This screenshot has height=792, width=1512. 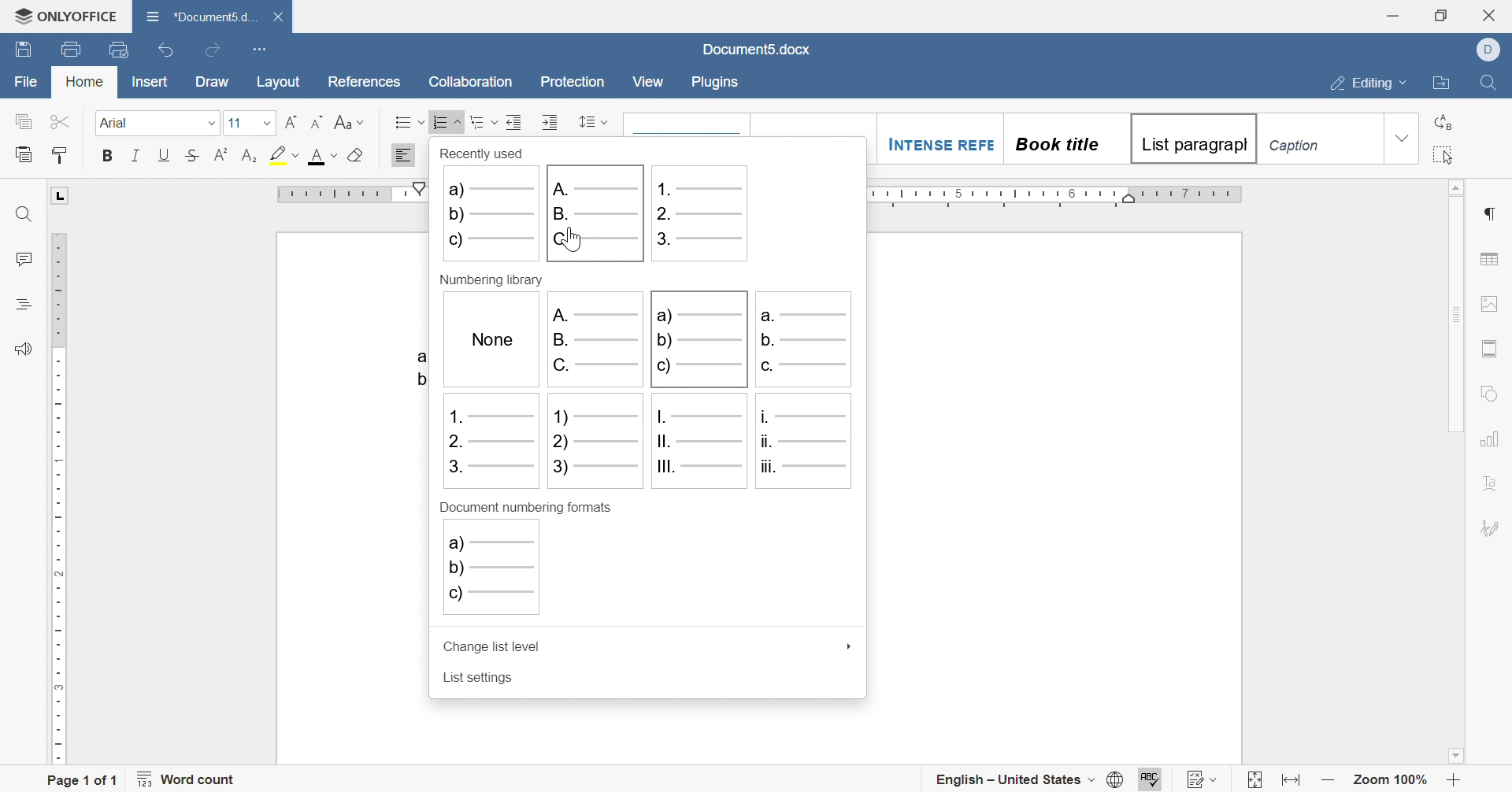 I want to click on *document5.docx, so click(x=202, y=15).